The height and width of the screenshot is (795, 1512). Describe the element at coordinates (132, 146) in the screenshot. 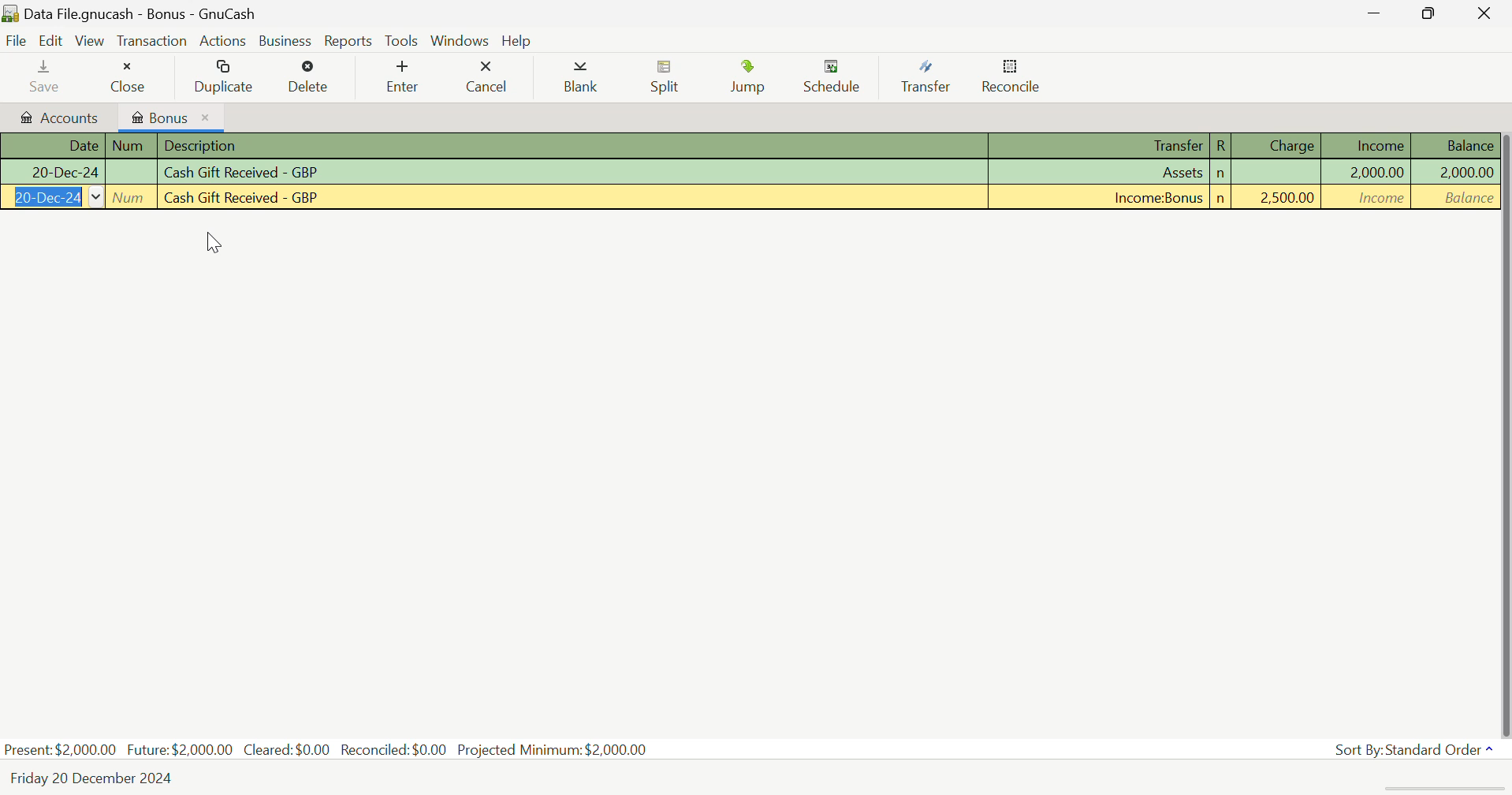

I see `Num` at that location.